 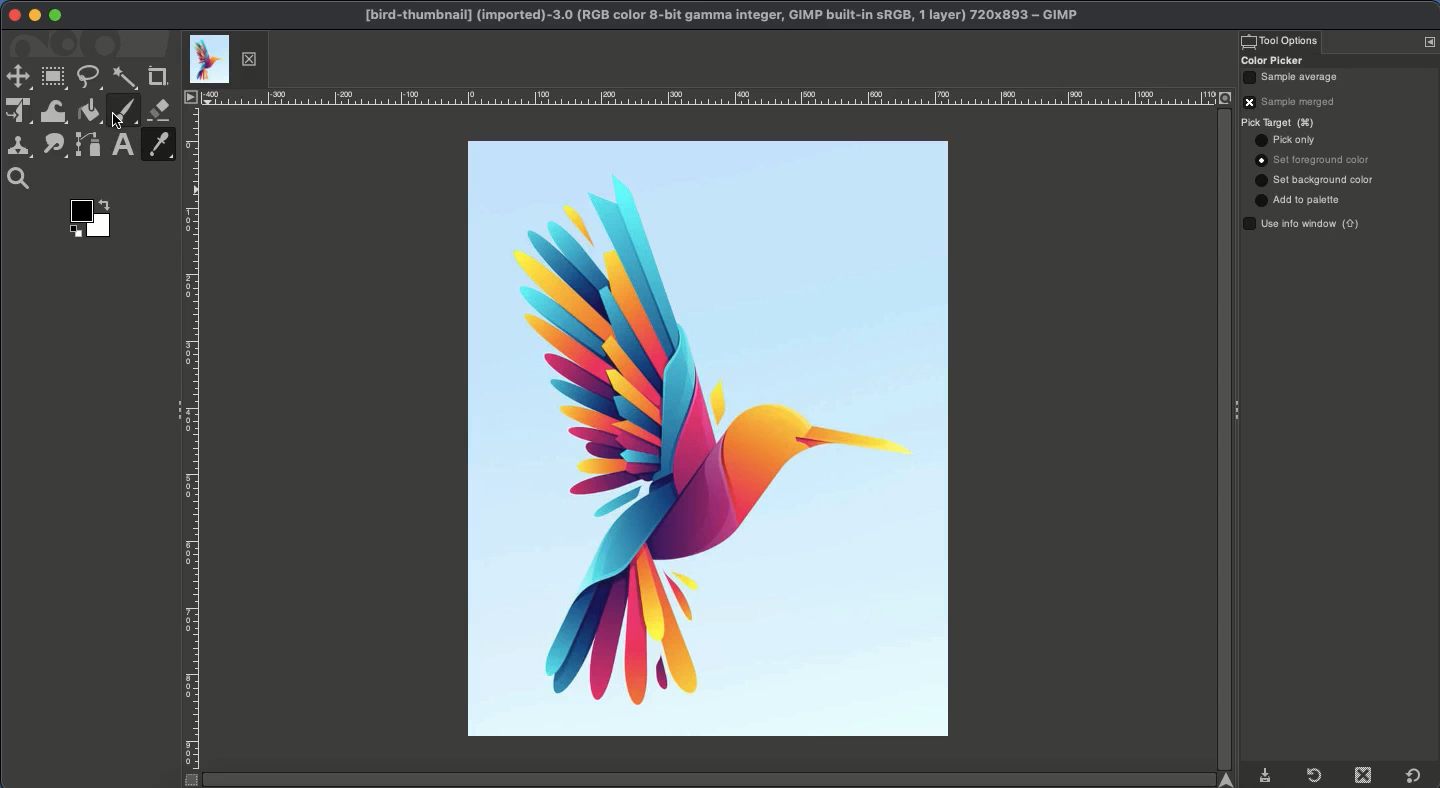 I want to click on Unified transformation, so click(x=19, y=110).